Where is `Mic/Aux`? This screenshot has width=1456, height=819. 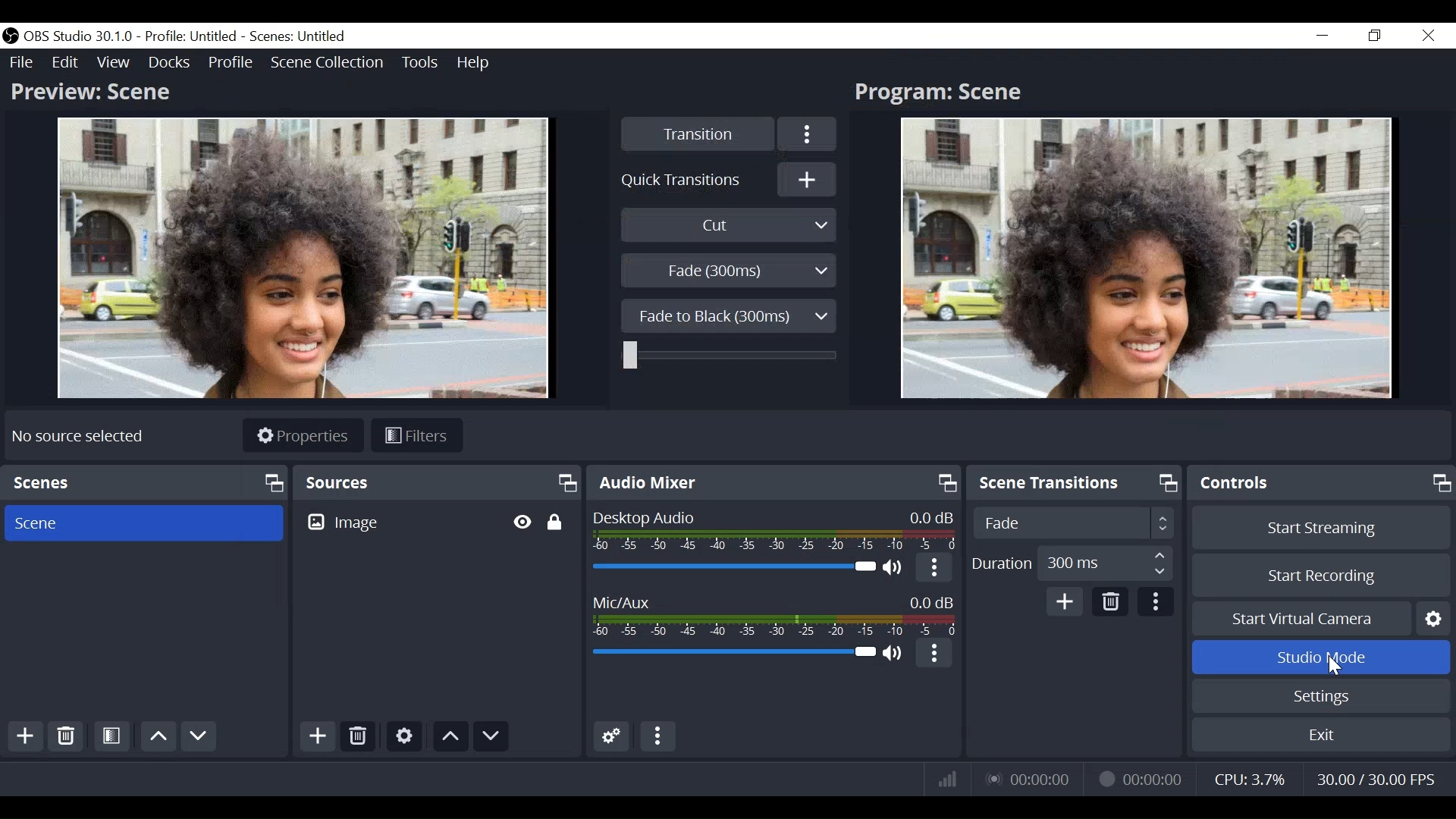 Mic/Aux is located at coordinates (774, 616).